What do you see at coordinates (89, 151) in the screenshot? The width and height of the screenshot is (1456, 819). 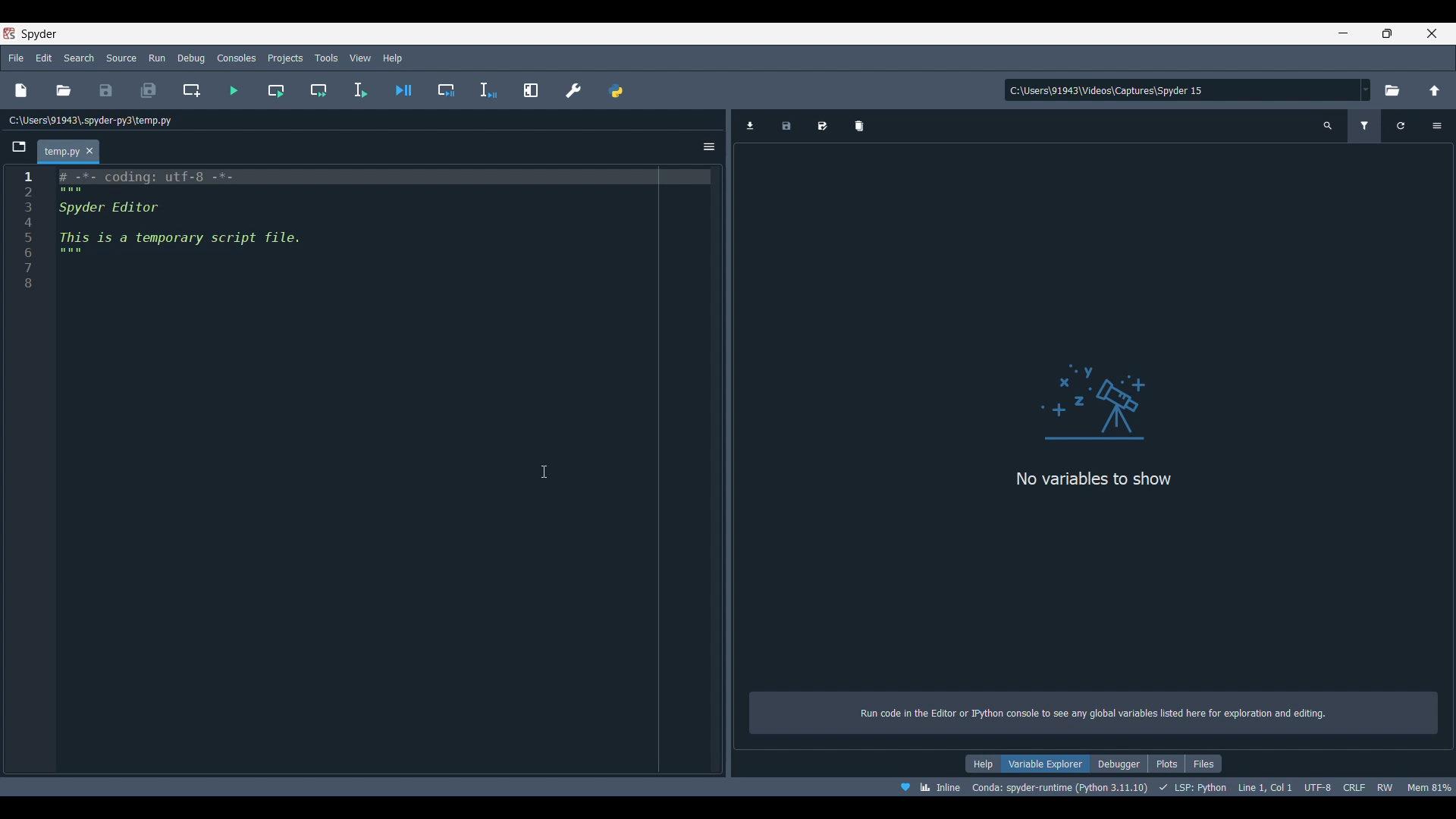 I see `Close tab` at bounding box center [89, 151].